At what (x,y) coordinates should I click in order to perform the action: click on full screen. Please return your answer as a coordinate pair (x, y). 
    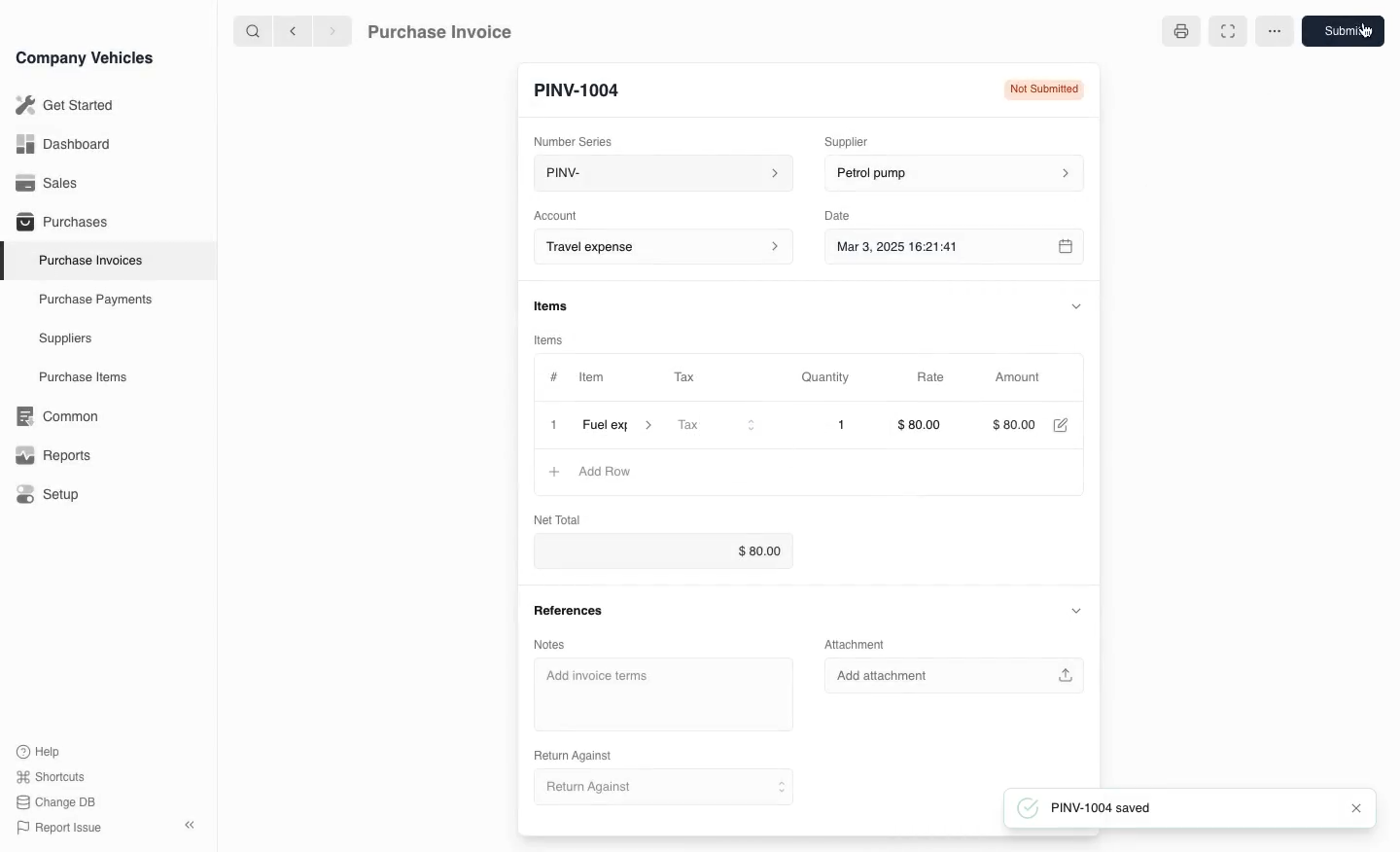
    Looking at the image, I should click on (1225, 31).